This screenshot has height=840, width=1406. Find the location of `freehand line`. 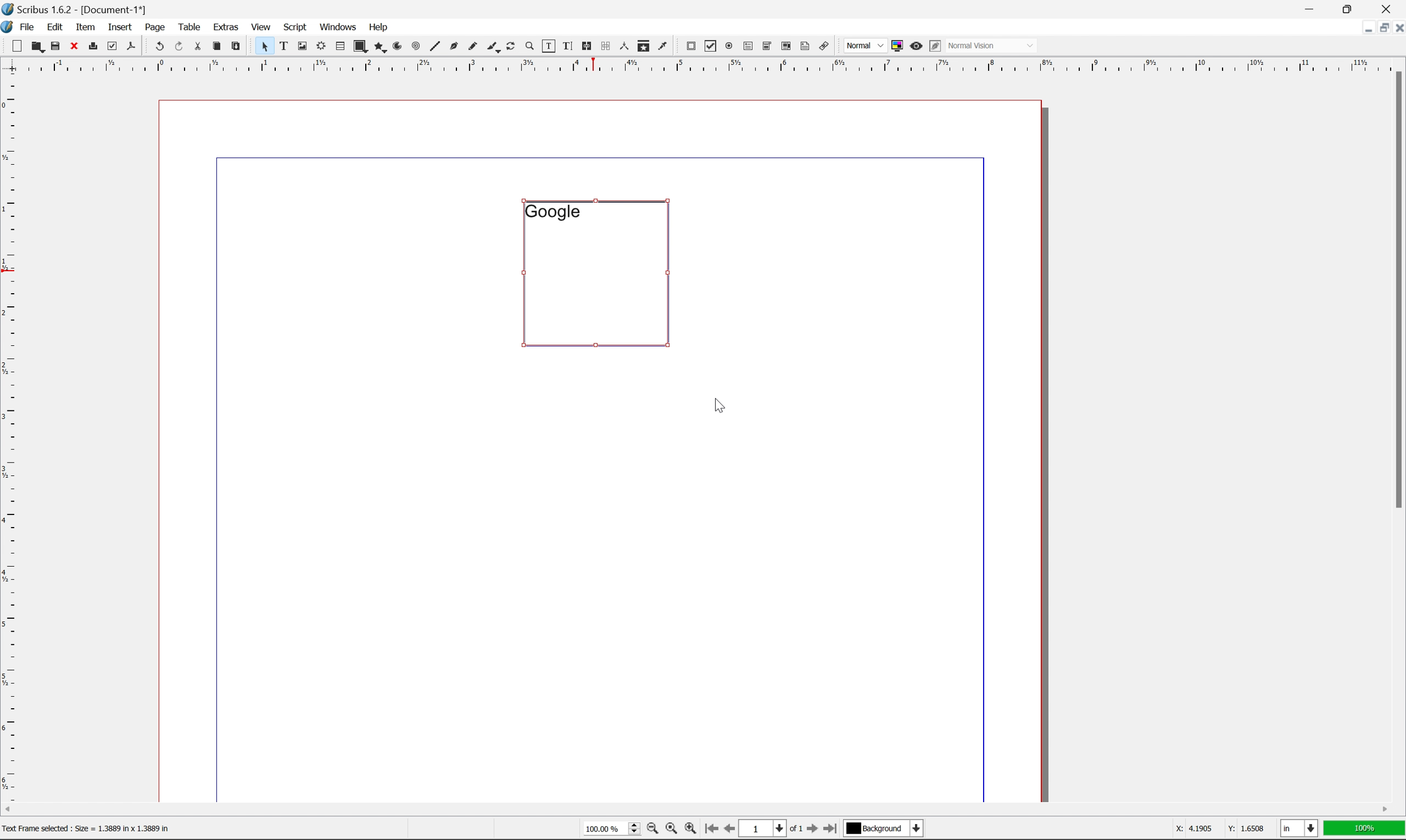

freehand line is located at coordinates (474, 47).